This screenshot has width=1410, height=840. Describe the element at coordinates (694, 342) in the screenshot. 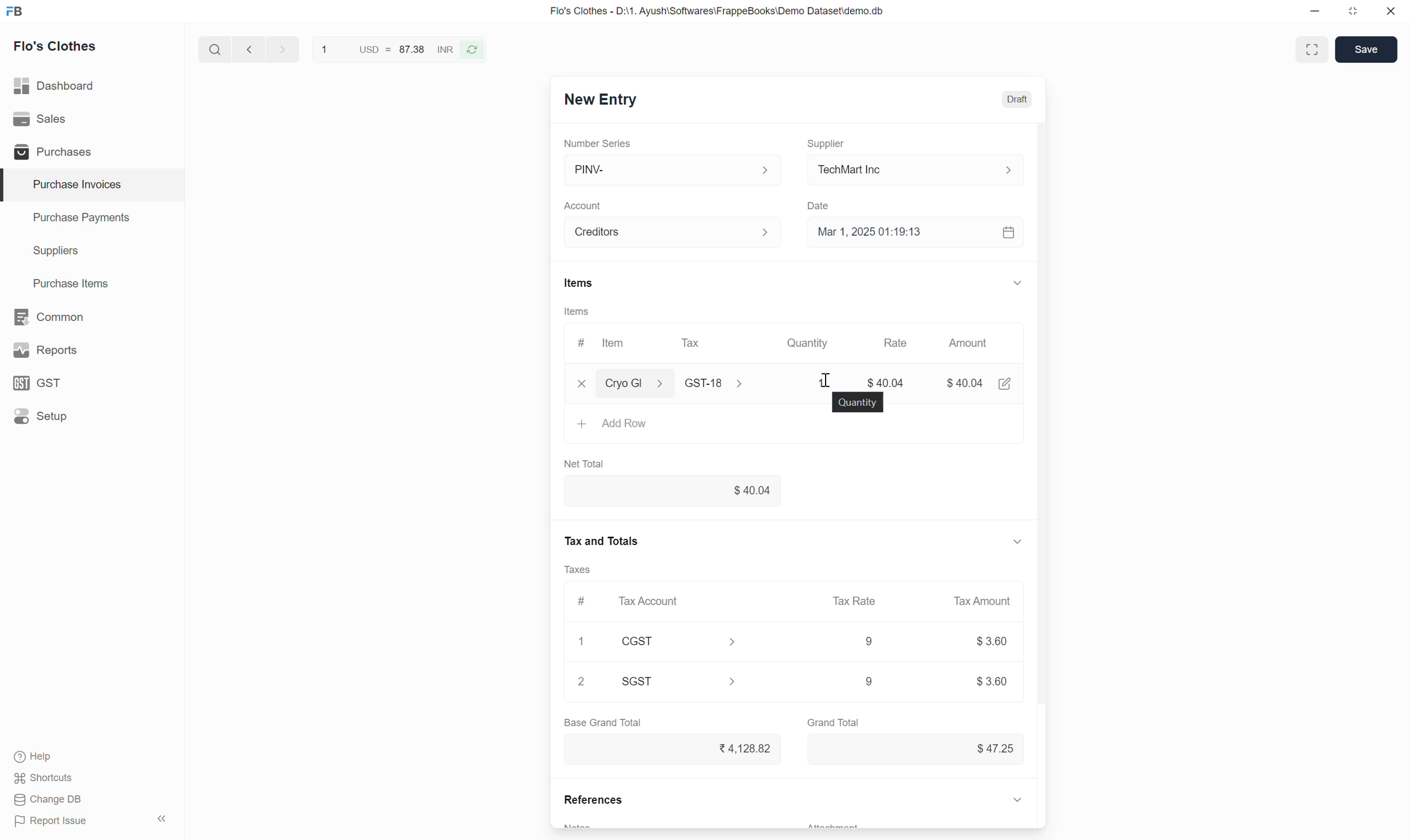

I see `Tax` at that location.